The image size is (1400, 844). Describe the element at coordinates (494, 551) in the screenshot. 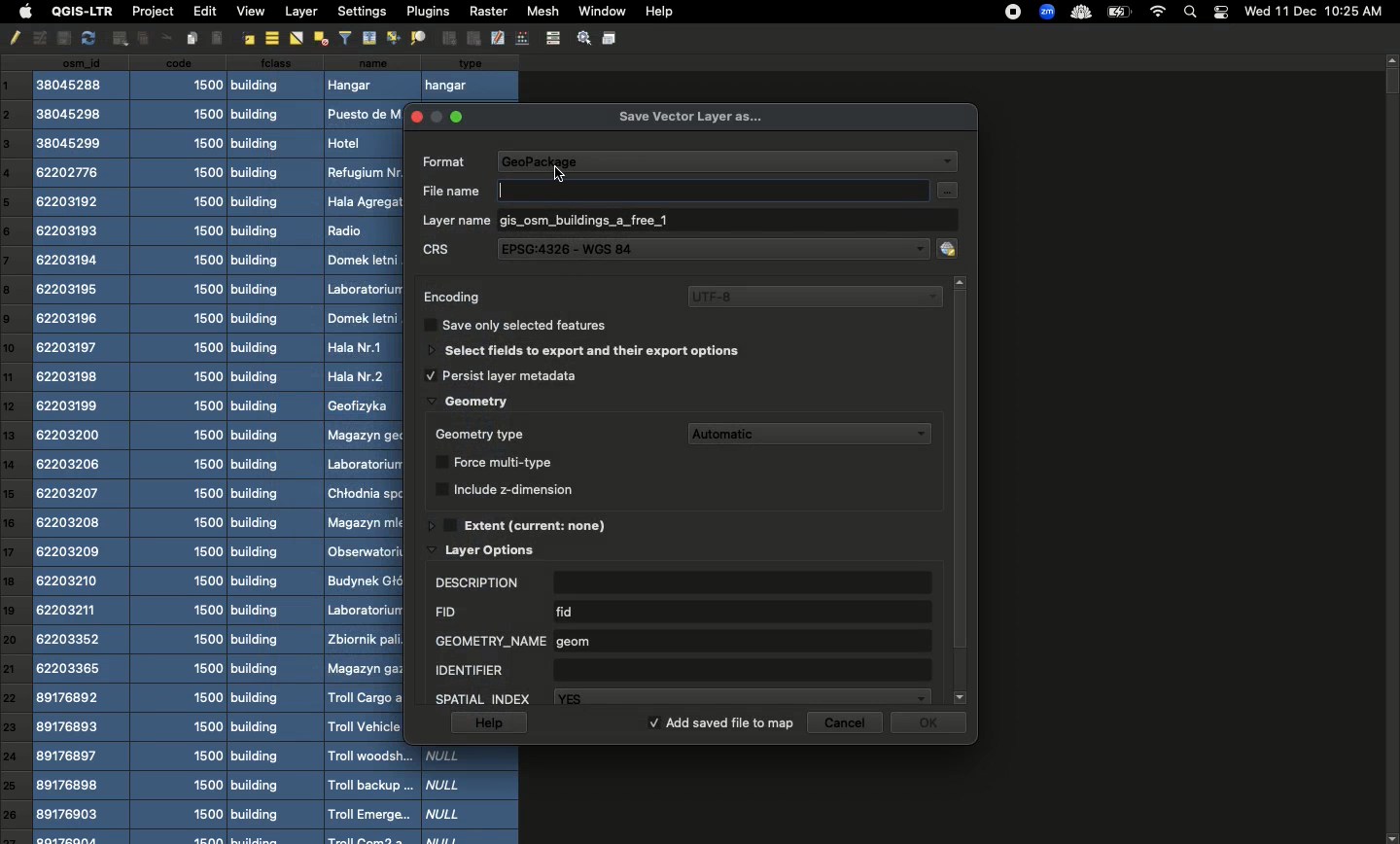

I see `Layer options` at that location.